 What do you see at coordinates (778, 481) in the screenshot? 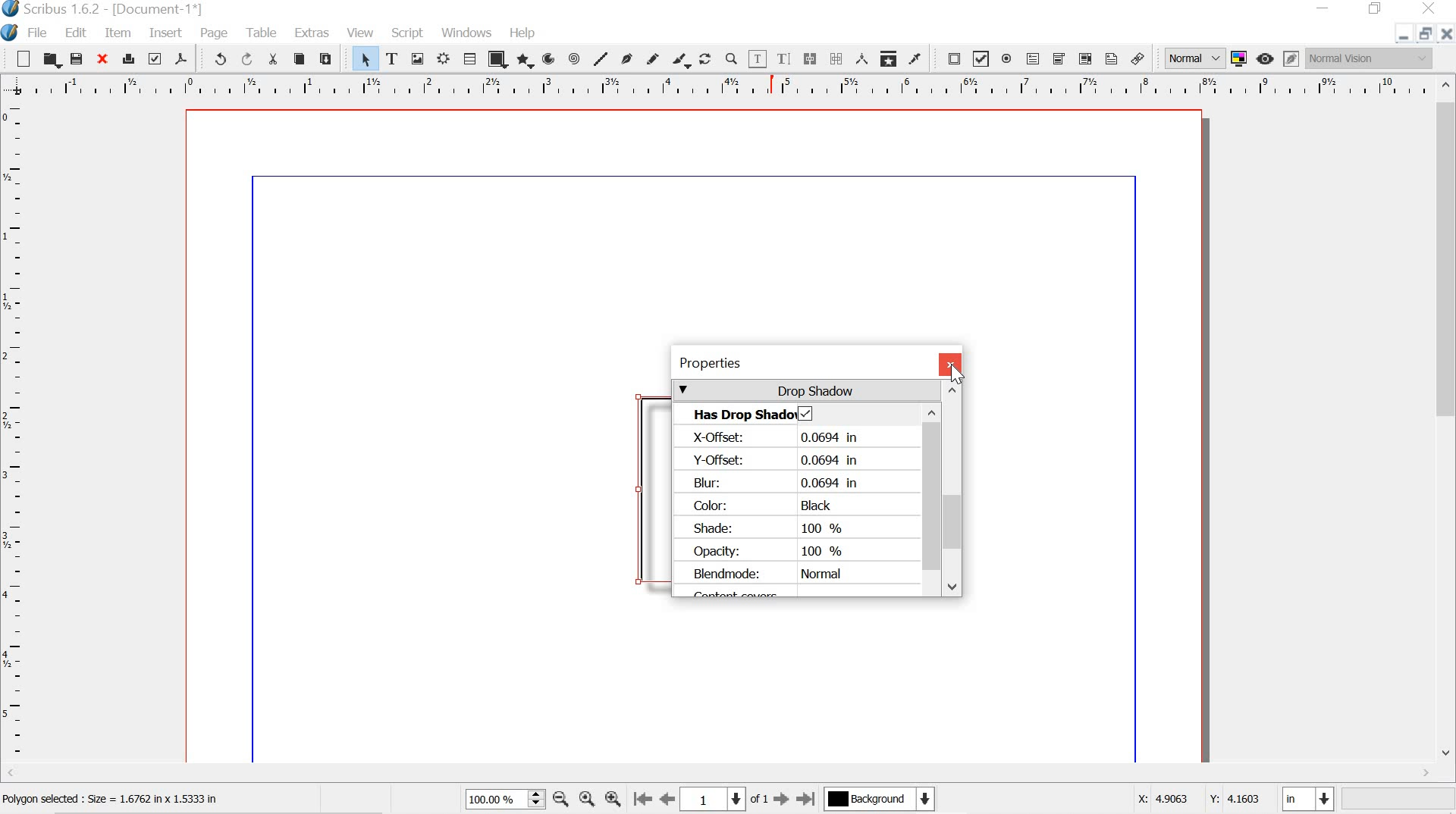
I see `Blur: 0.0694 in` at bounding box center [778, 481].